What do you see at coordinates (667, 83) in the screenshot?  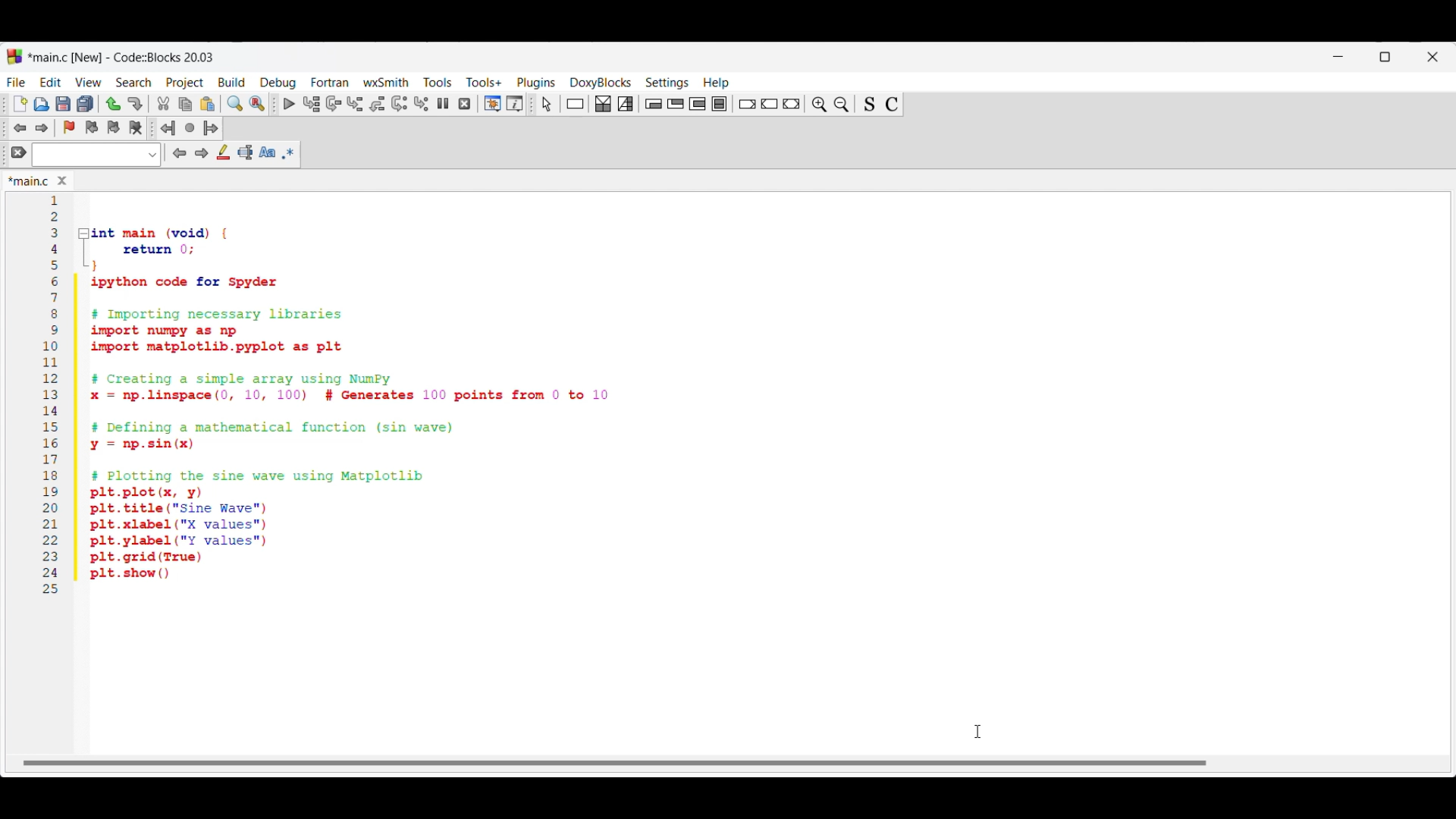 I see `Settings menu` at bounding box center [667, 83].